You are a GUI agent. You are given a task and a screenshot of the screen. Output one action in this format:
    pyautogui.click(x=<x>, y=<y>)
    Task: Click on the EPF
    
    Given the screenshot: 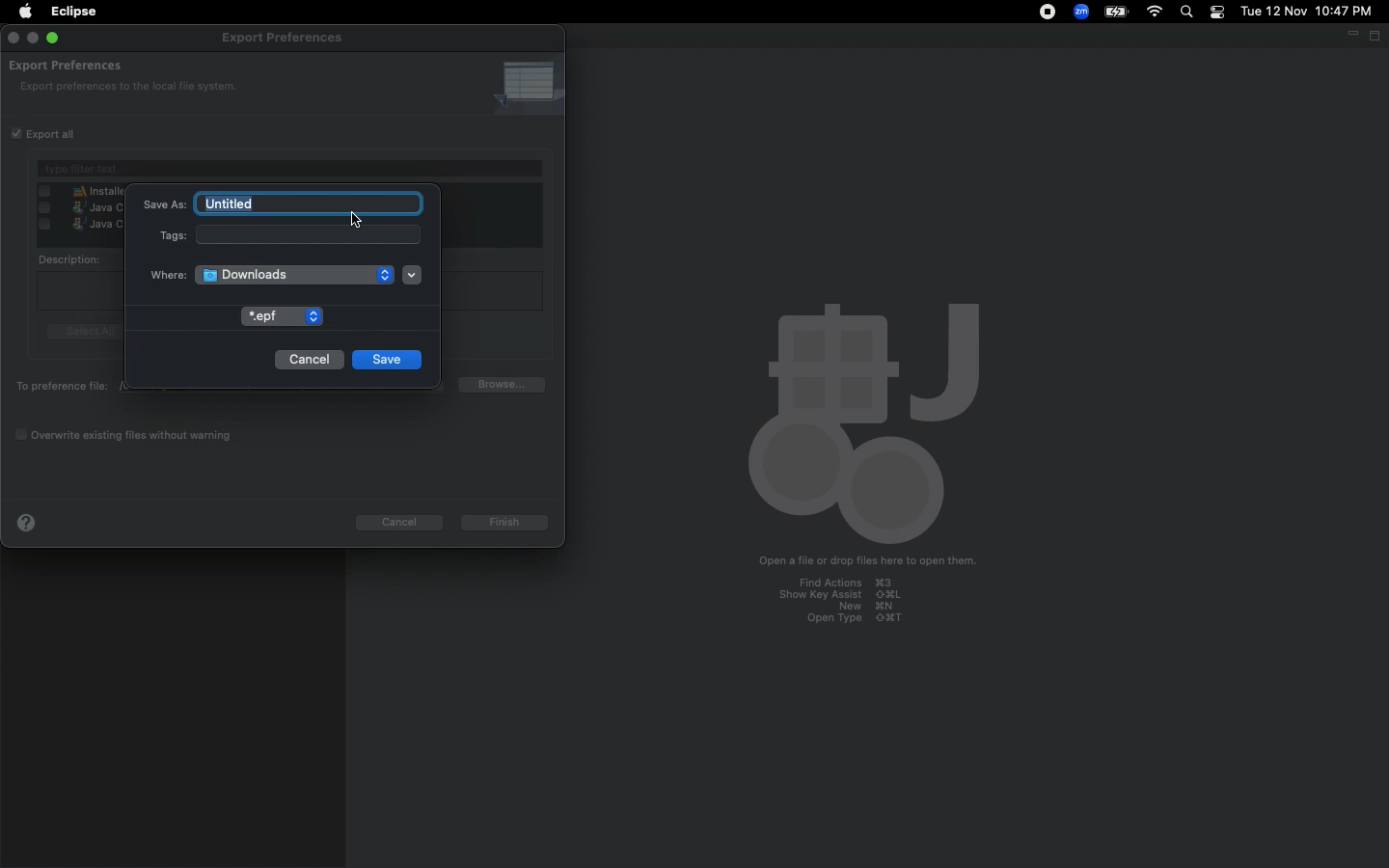 What is the action you would take?
    pyautogui.click(x=283, y=316)
    